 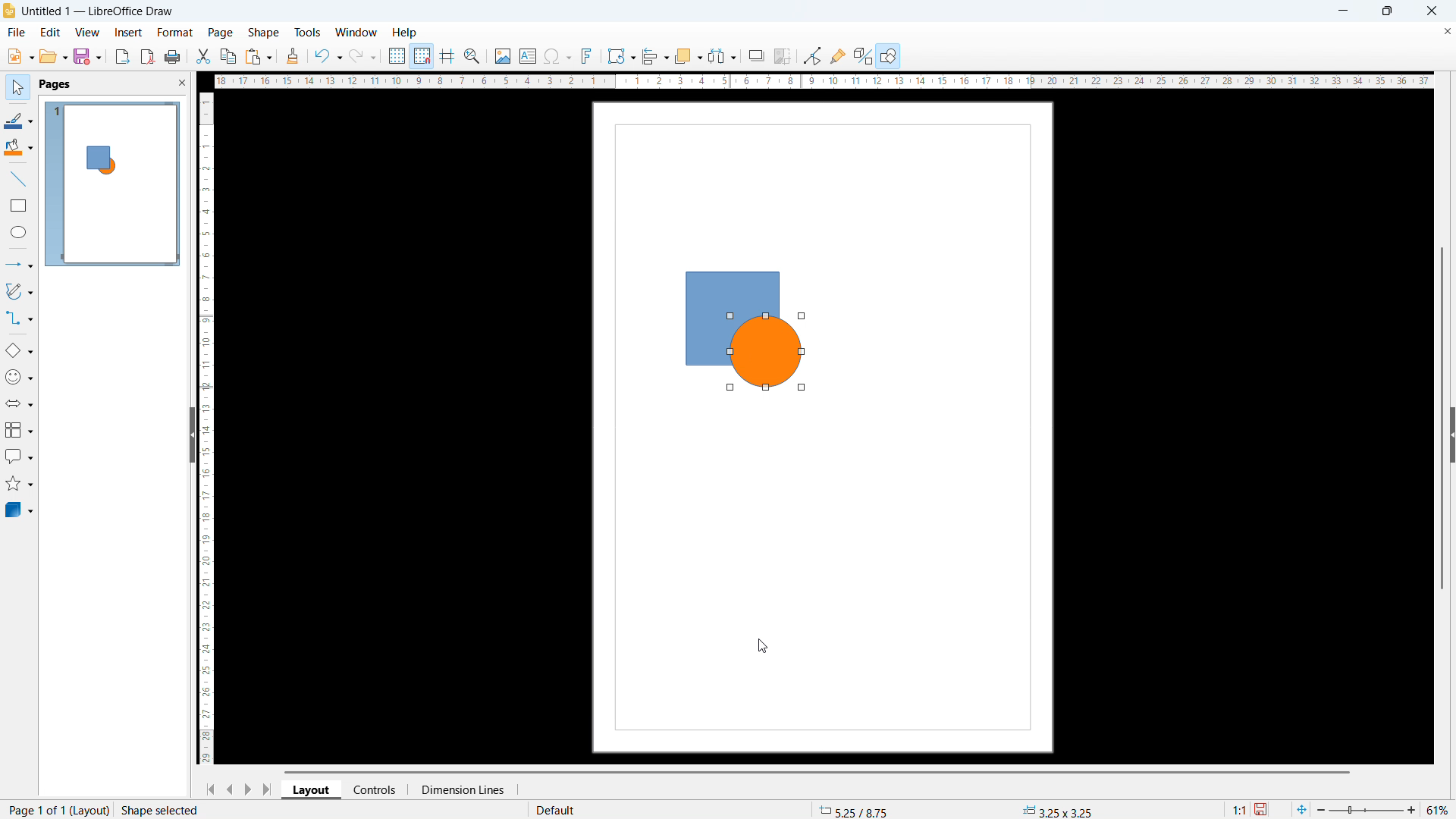 I want to click on go to first page, so click(x=209, y=789).